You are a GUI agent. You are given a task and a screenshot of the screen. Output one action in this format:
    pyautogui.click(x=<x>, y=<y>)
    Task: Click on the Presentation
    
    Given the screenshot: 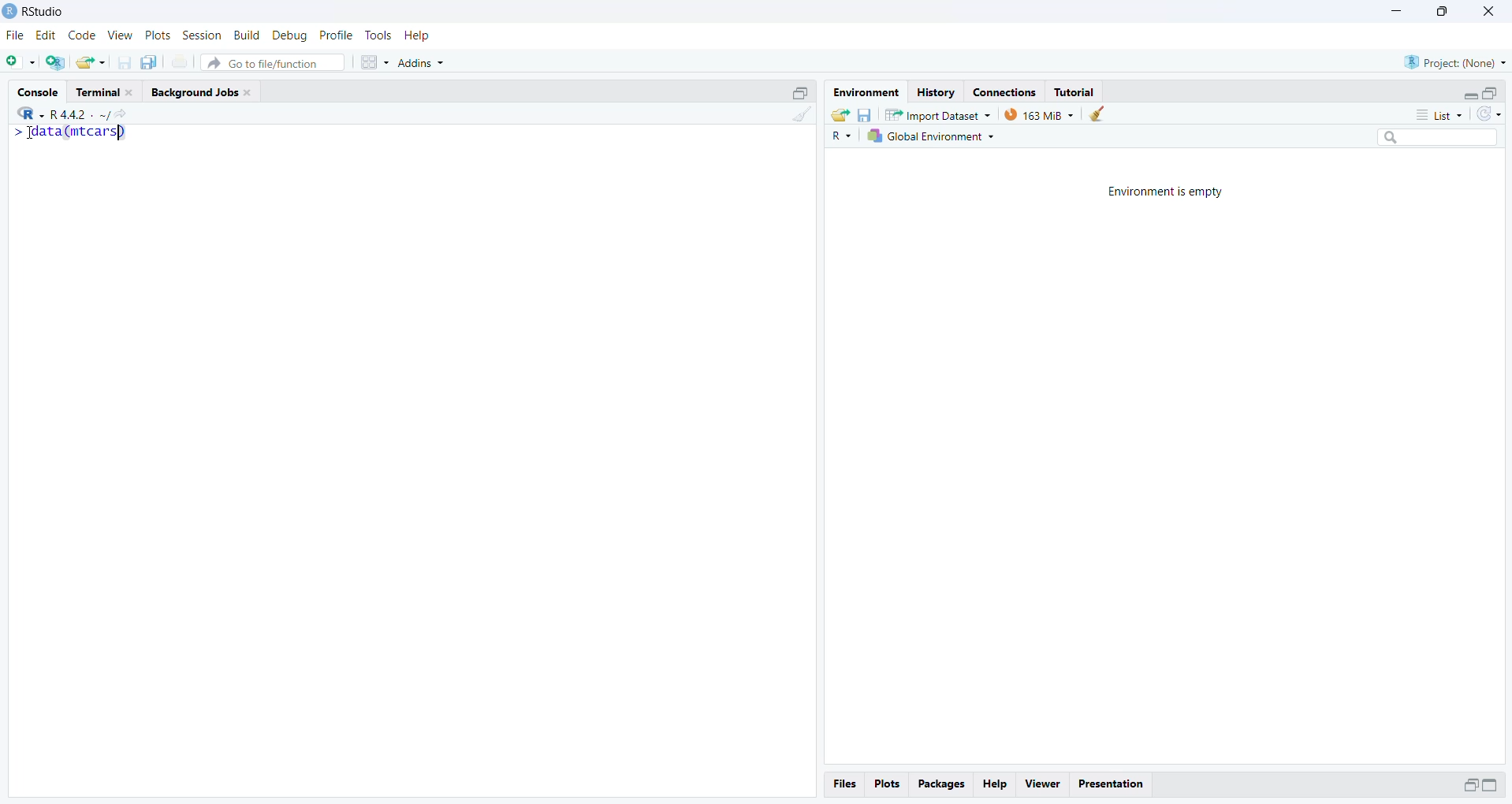 What is the action you would take?
    pyautogui.click(x=1111, y=785)
    